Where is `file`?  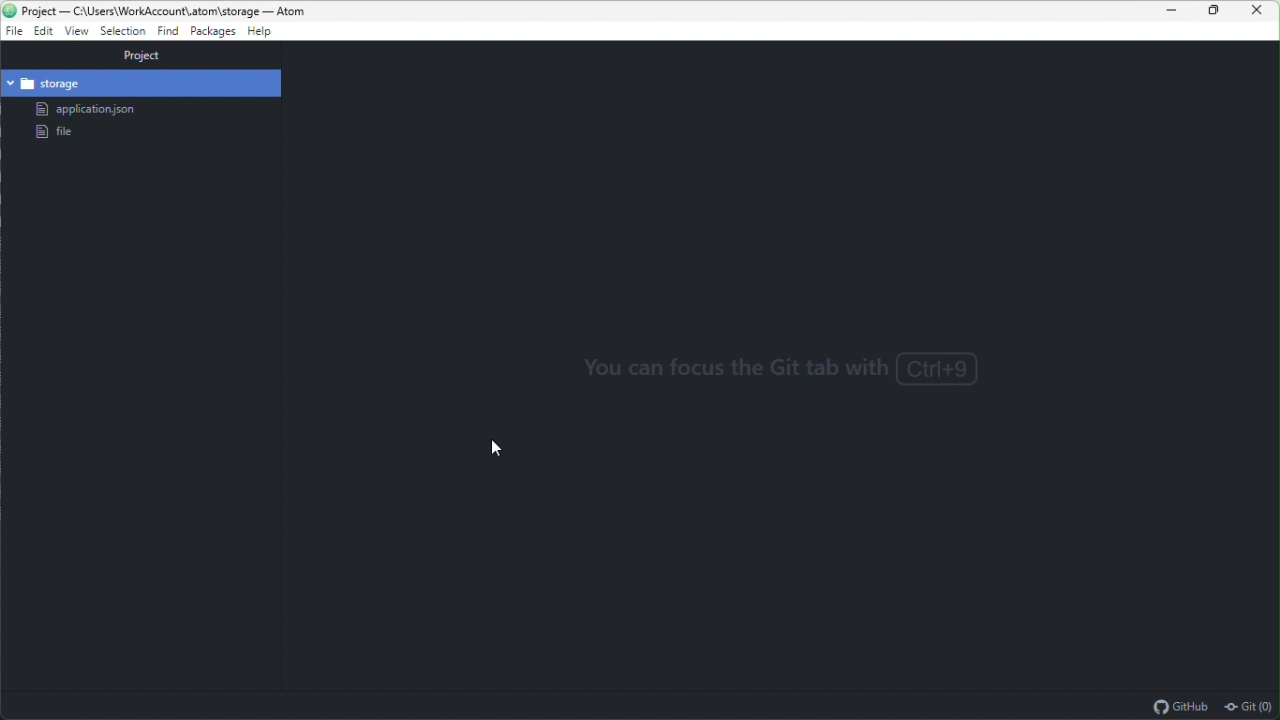
file is located at coordinates (53, 132).